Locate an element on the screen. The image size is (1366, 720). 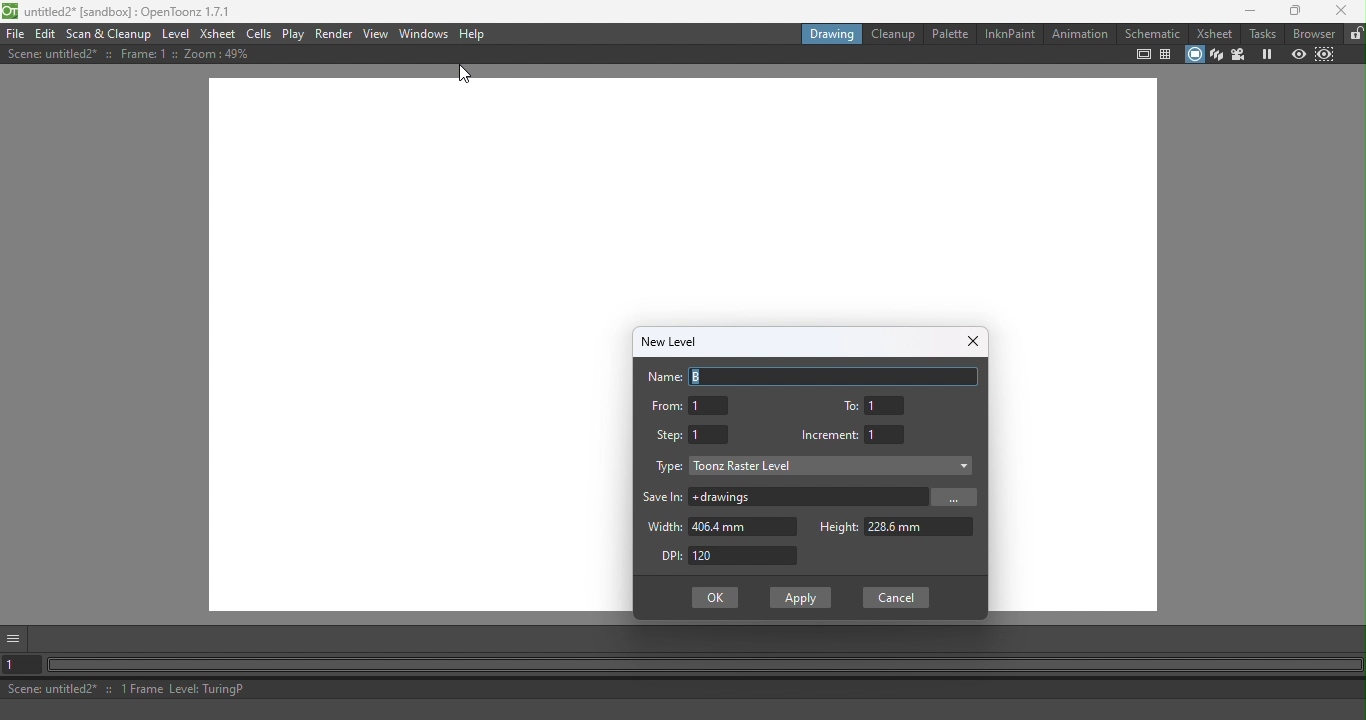
Type is located at coordinates (671, 467).